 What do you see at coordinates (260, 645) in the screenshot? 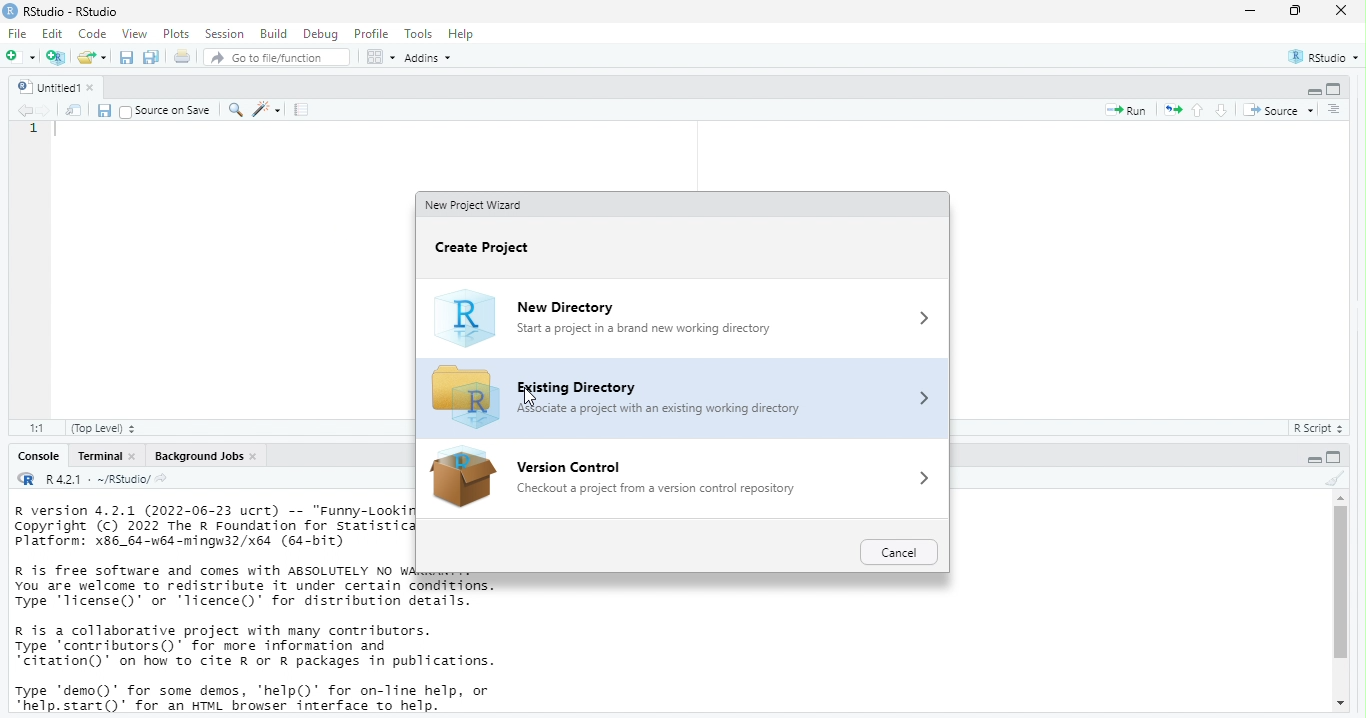
I see `information about contributors` at bounding box center [260, 645].